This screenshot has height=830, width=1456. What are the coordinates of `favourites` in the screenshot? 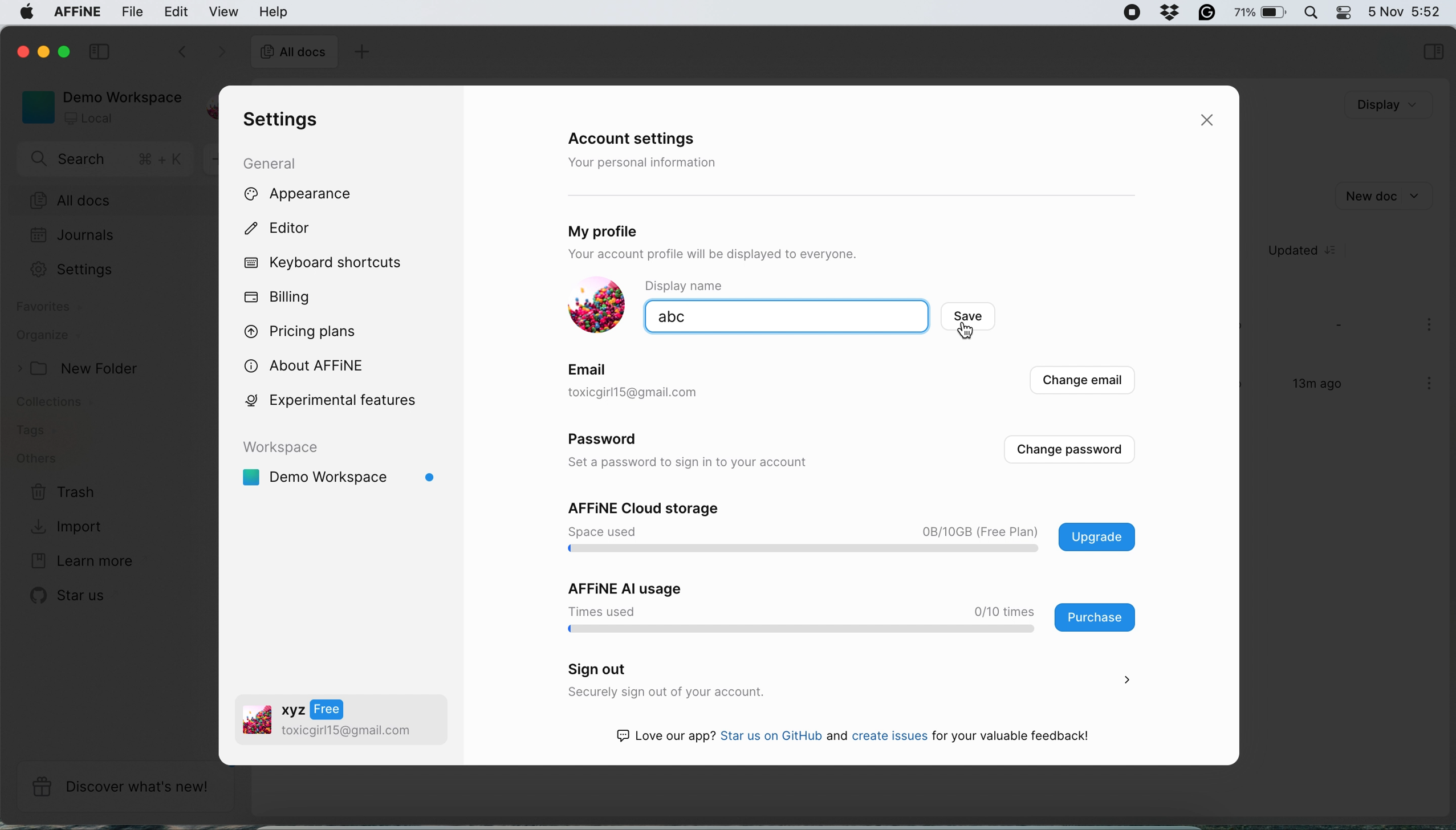 It's located at (52, 309).